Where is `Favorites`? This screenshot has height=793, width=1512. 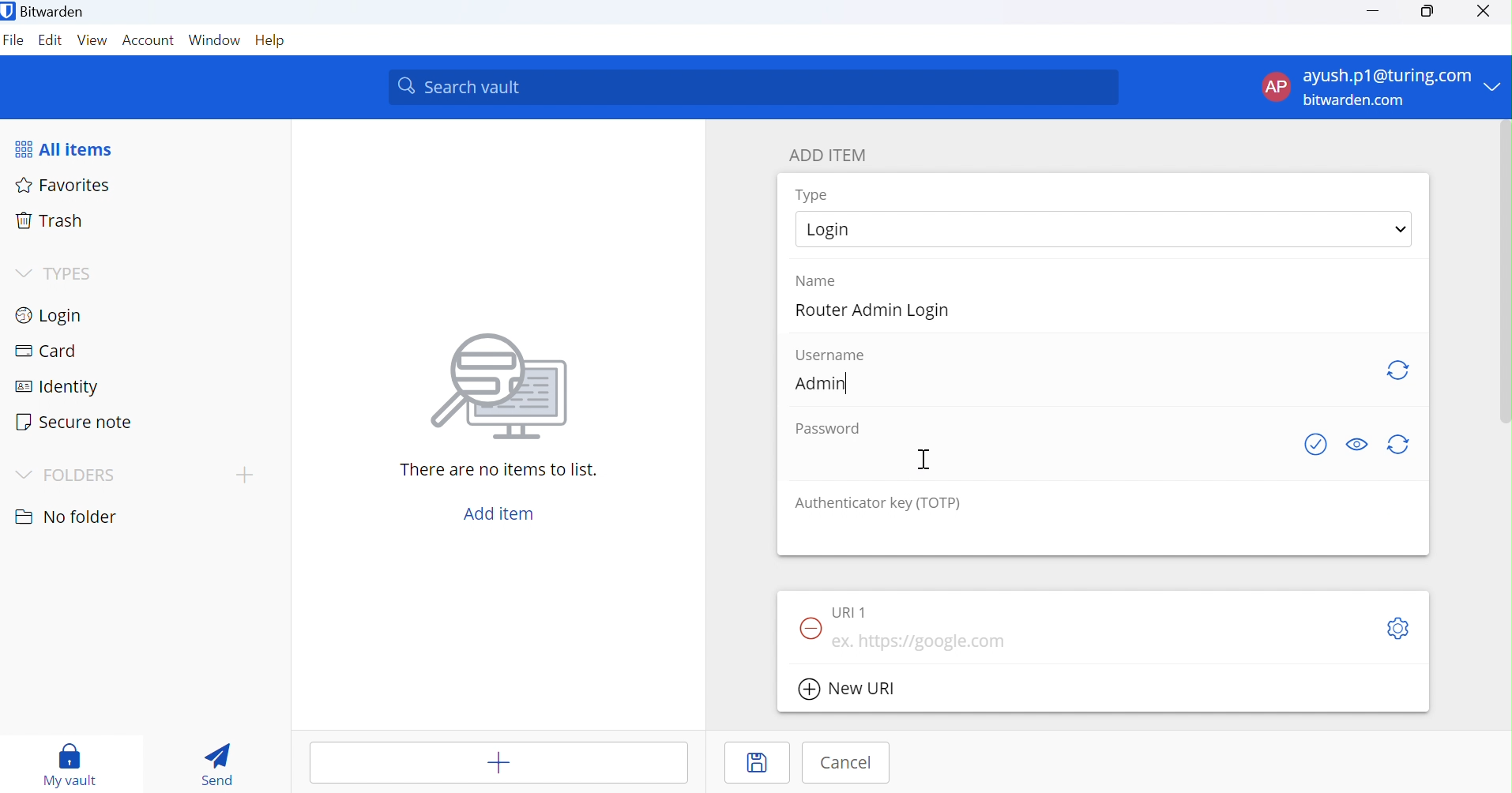 Favorites is located at coordinates (65, 184).